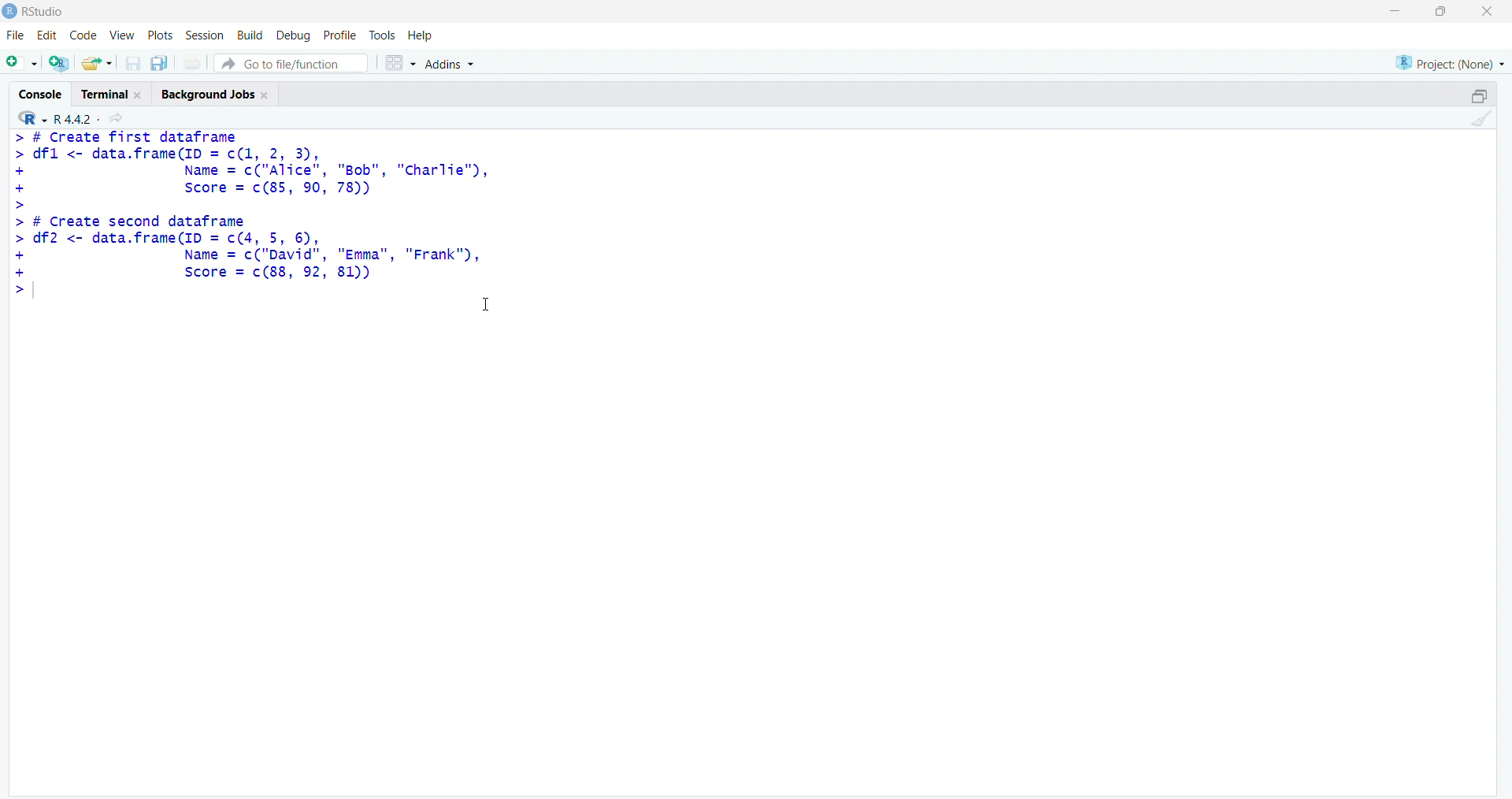 Image resolution: width=1512 pixels, height=799 pixels. Describe the element at coordinates (39, 93) in the screenshot. I see `Console` at that location.